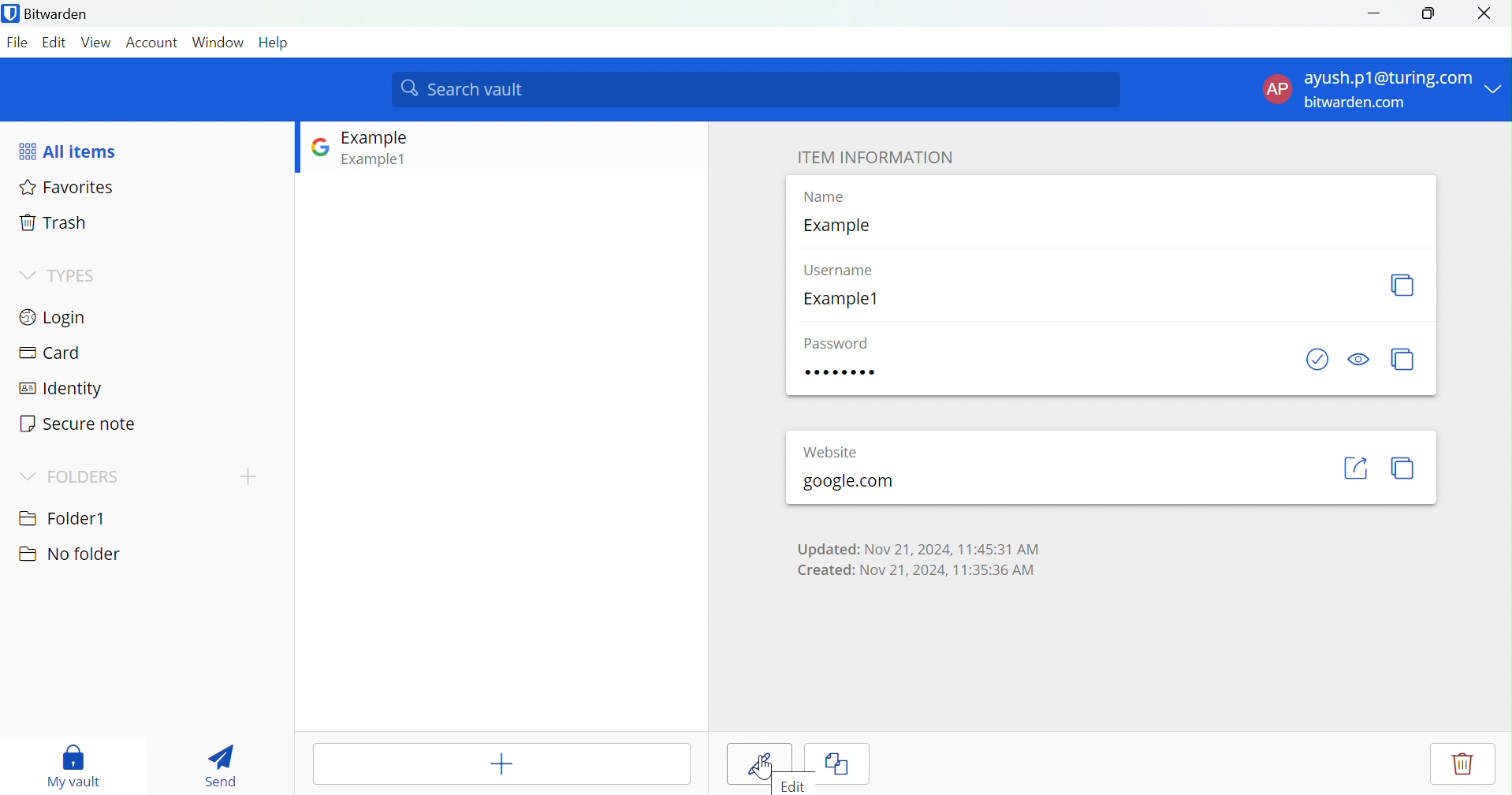  What do you see at coordinates (503, 763) in the screenshot?
I see `Add Item` at bounding box center [503, 763].